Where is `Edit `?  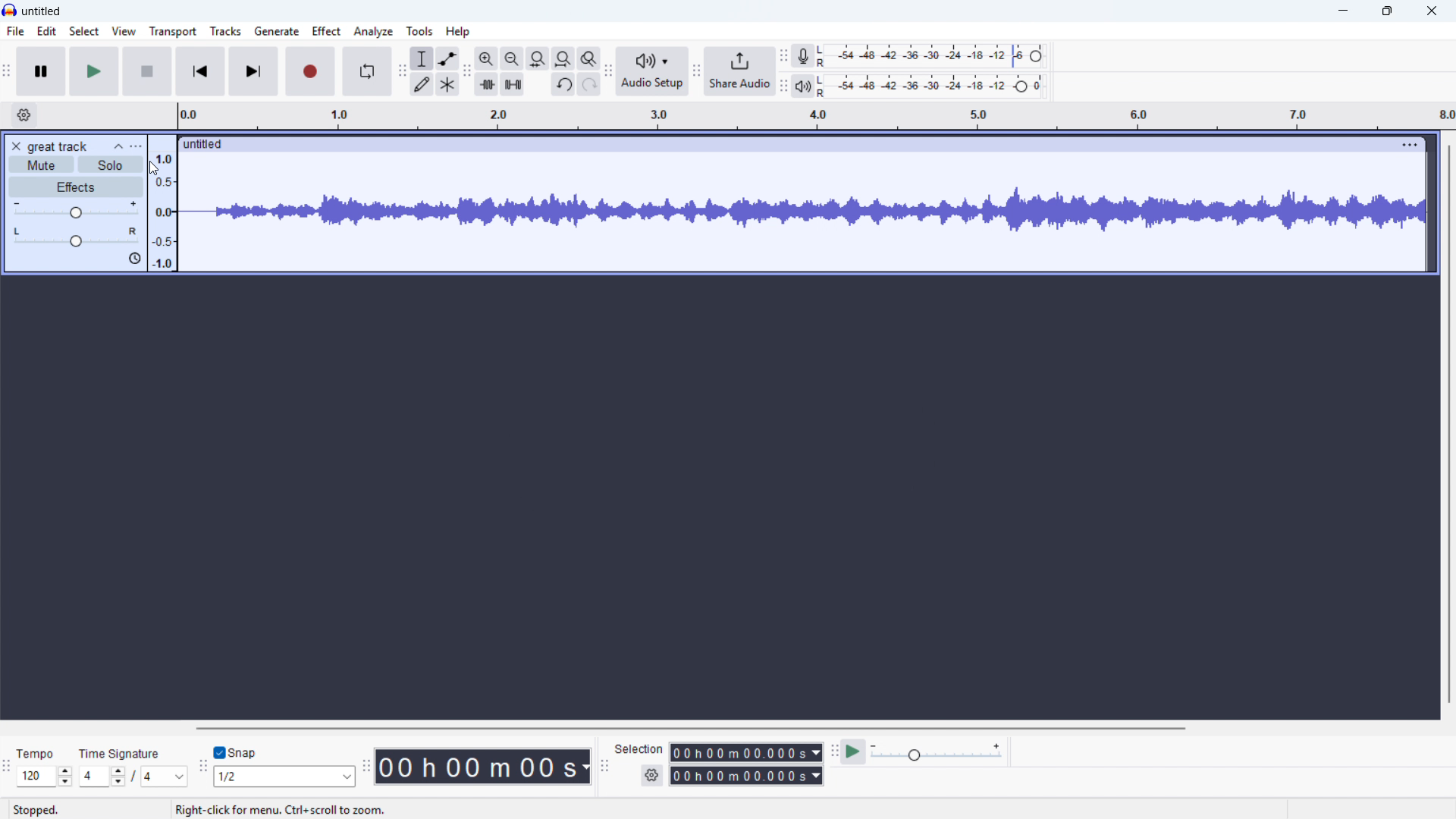 Edit  is located at coordinates (46, 32).